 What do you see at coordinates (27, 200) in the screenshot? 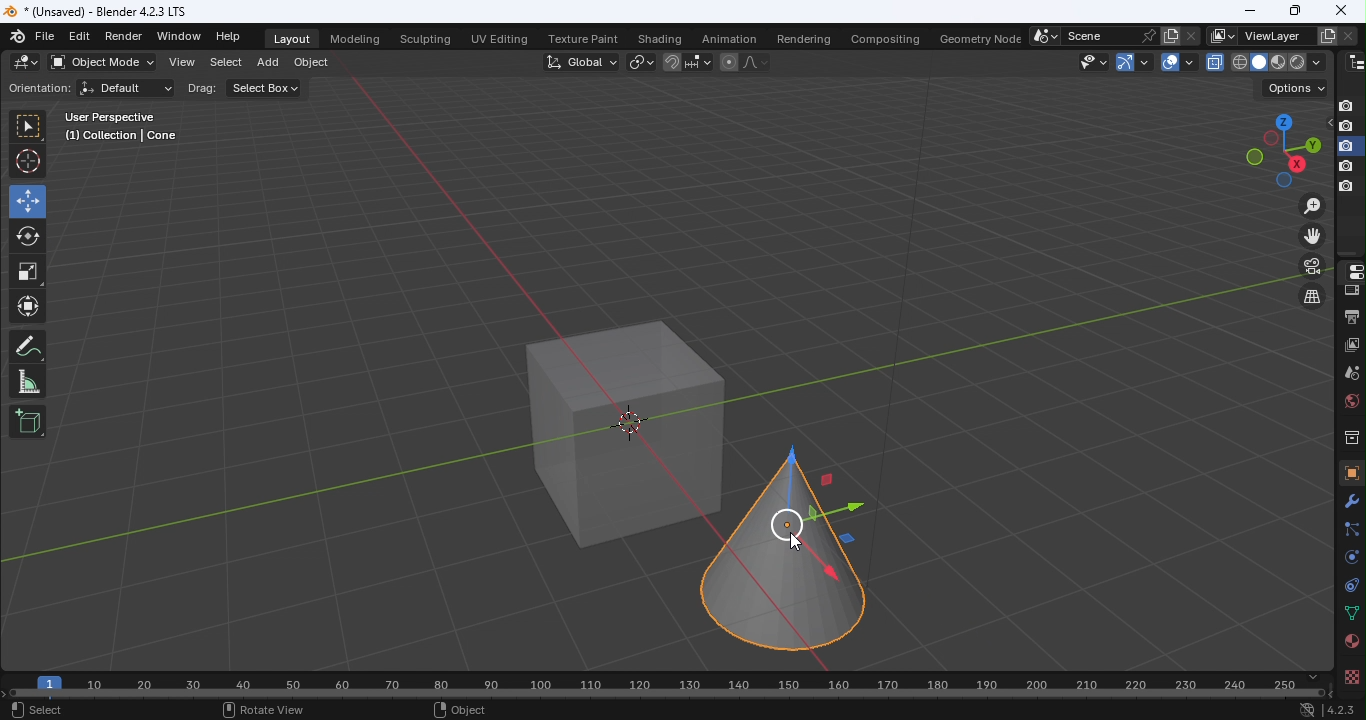
I see `Move` at bounding box center [27, 200].